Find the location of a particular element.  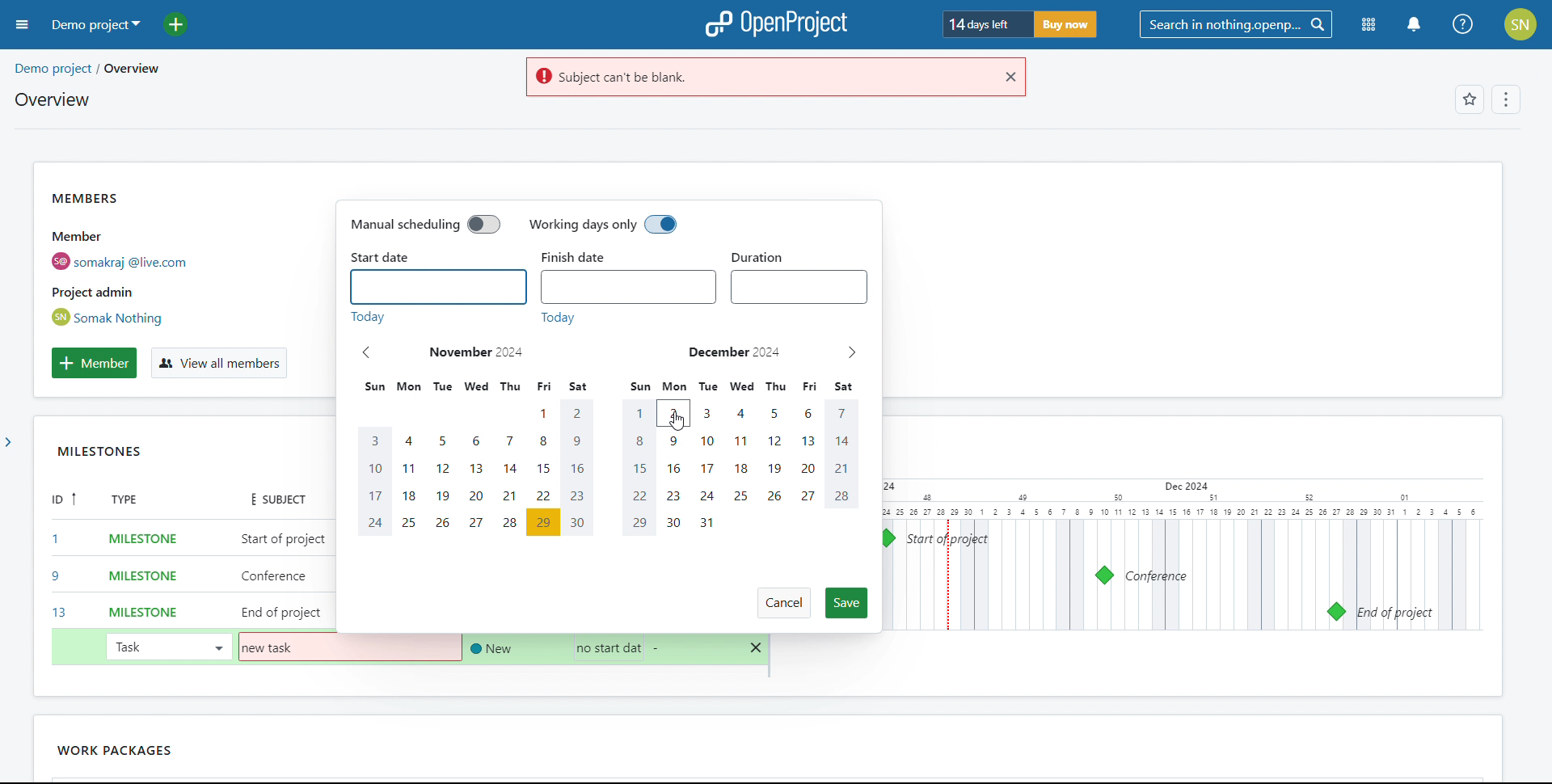

task selected is located at coordinates (167, 646).